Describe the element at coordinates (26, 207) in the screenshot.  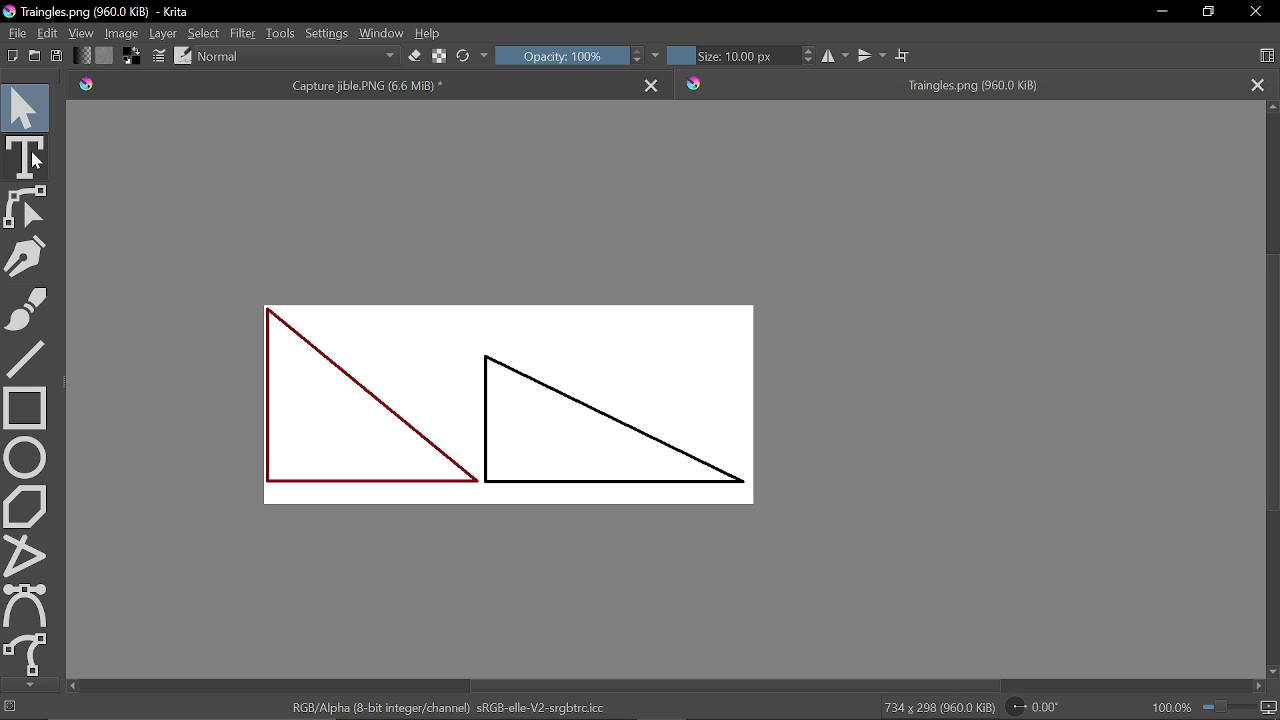
I see `Edit shapes tool` at that location.